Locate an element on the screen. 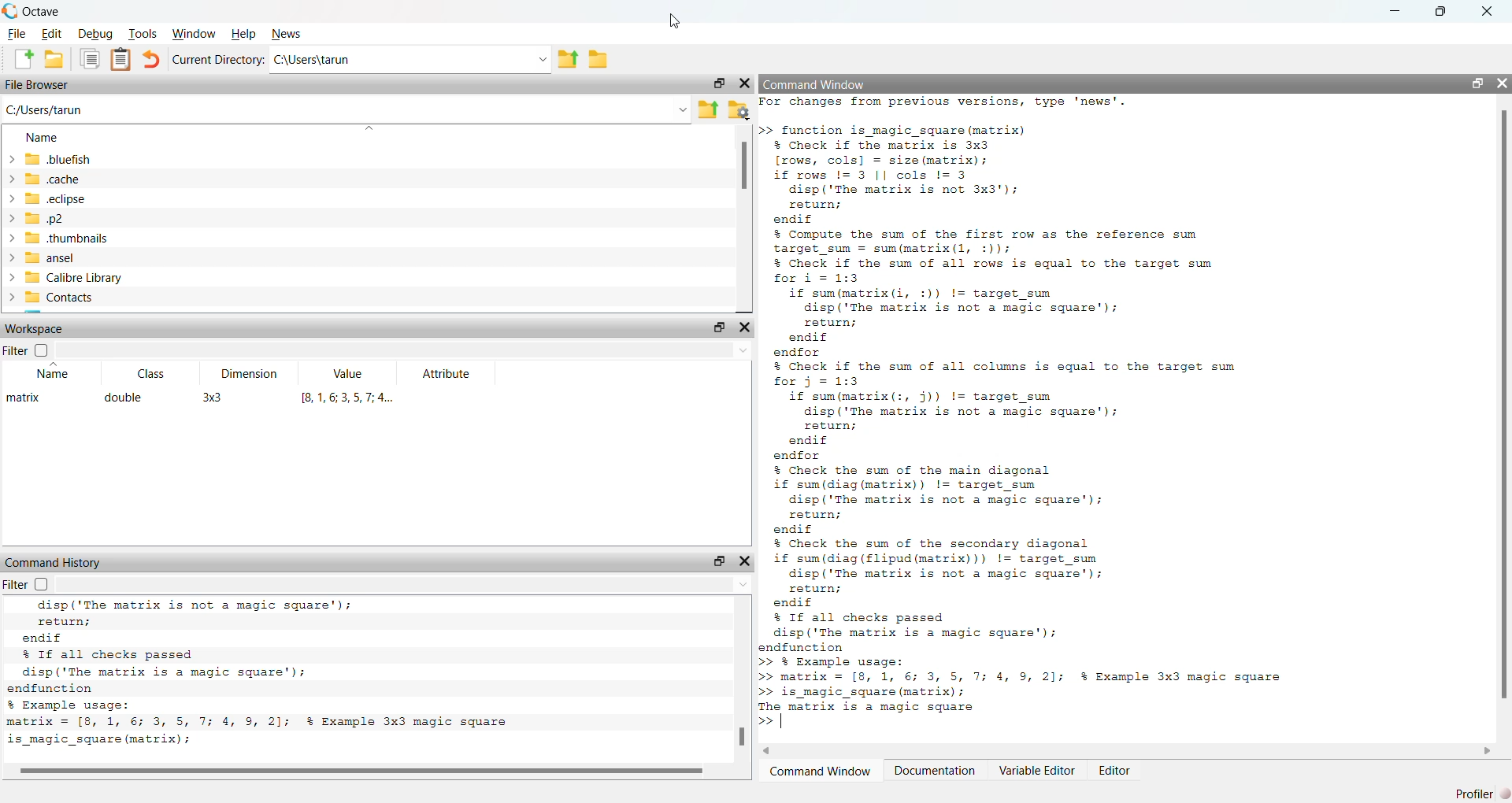  Workspace is located at coordinates (37, 329).